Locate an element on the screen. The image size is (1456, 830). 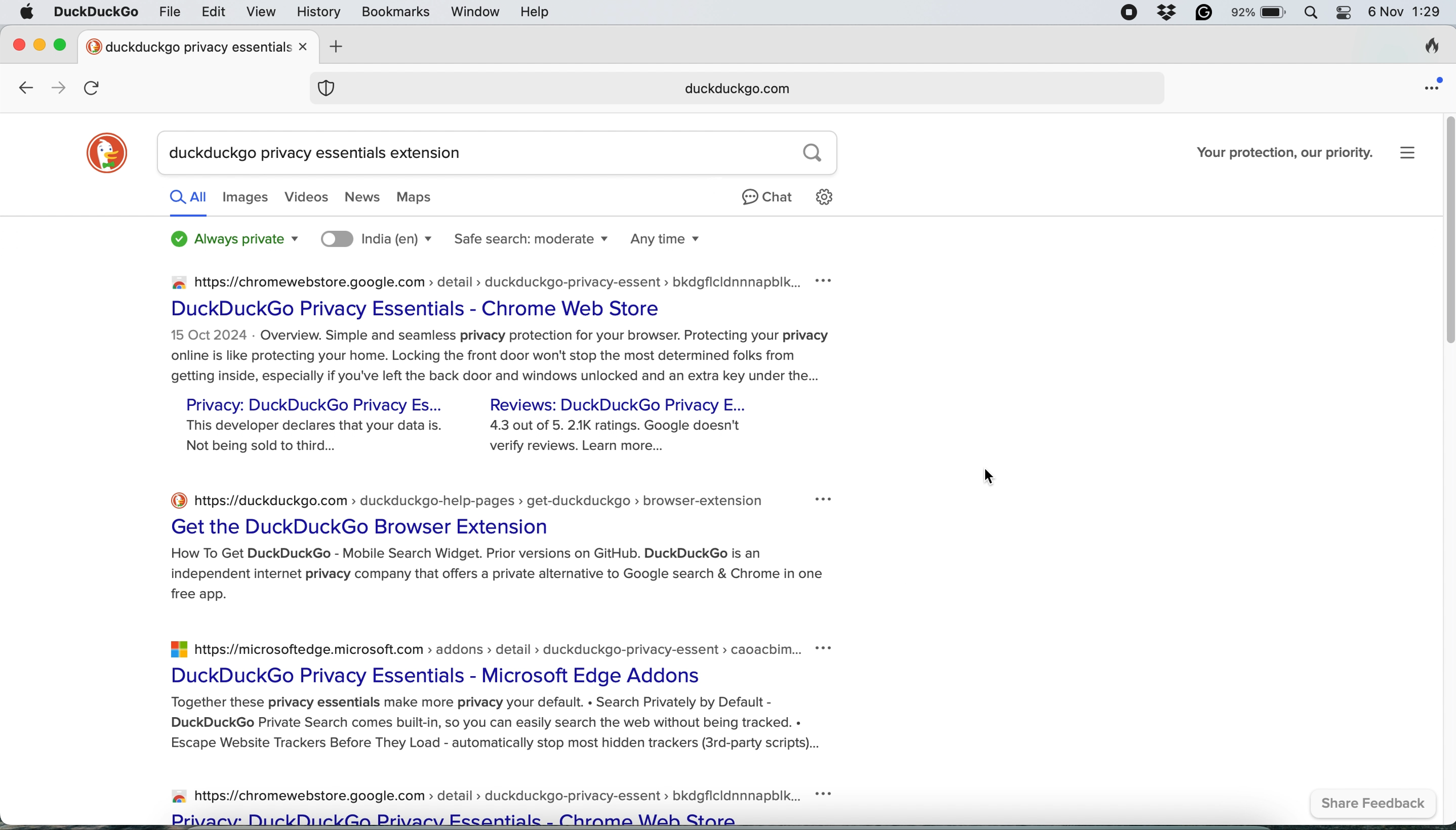
Privacy: DuckDuckGo Privacy Es... is located at coordinates (314, 402).